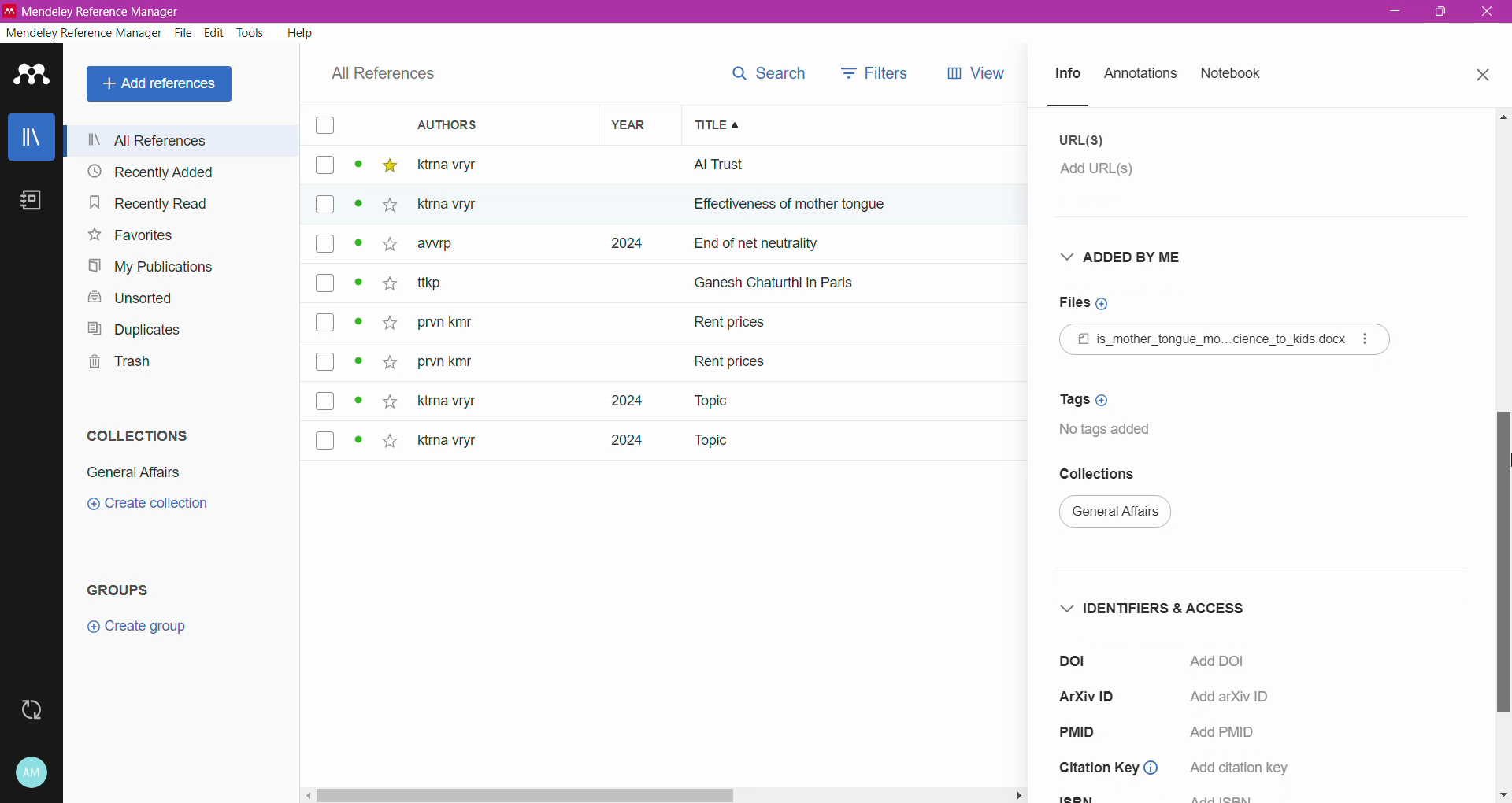 Image resolution: width=1512 pixels, height=803 pixels. Describe the element at coordinates (31, 200) in the screenshot. I see `Notebook` at that location.